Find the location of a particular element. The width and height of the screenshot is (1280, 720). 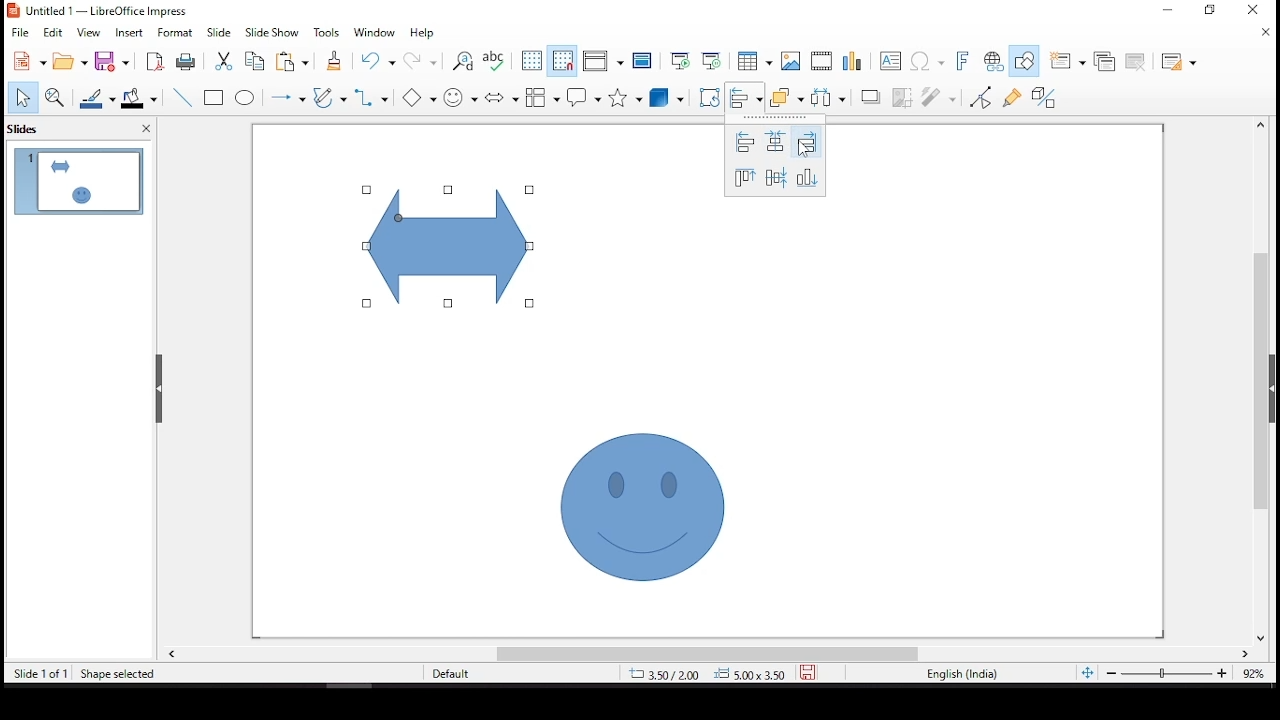

toggle point edit mode is located at coordinates (980, 99).